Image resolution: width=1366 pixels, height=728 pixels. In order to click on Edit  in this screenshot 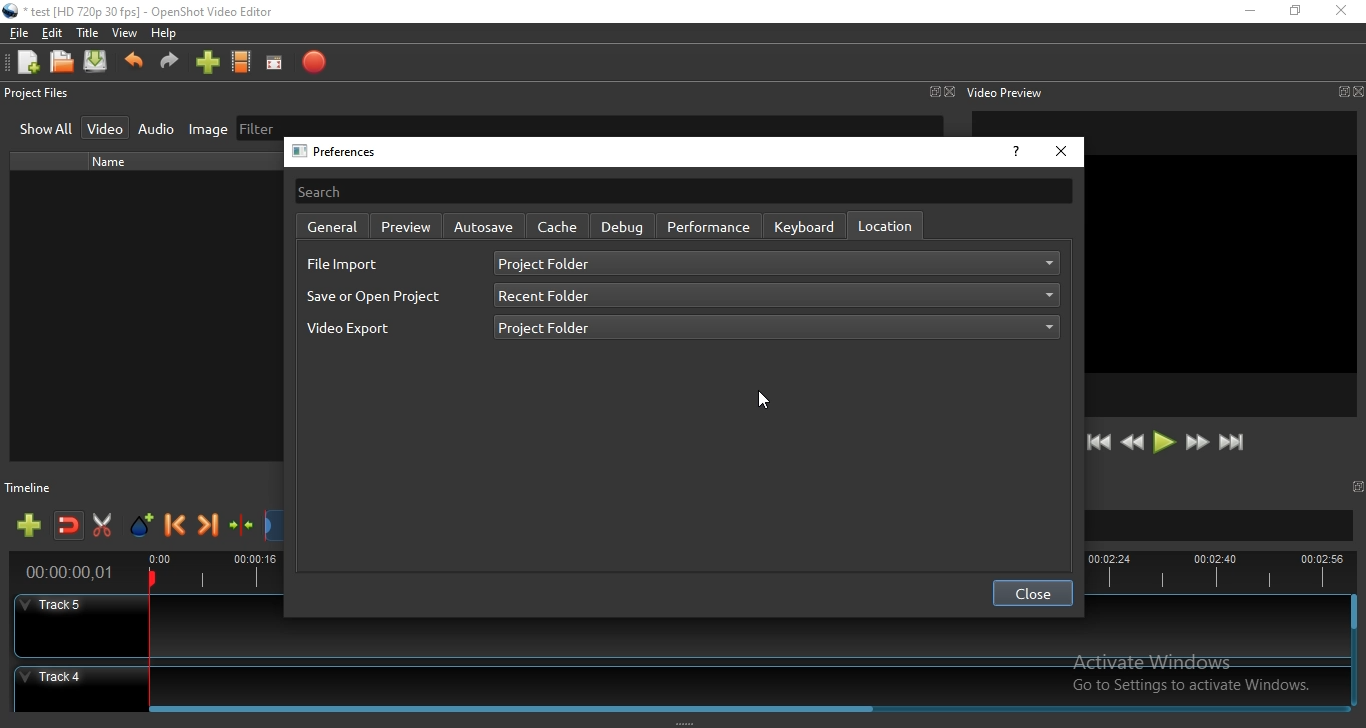, I will do `click(53, 35)`.